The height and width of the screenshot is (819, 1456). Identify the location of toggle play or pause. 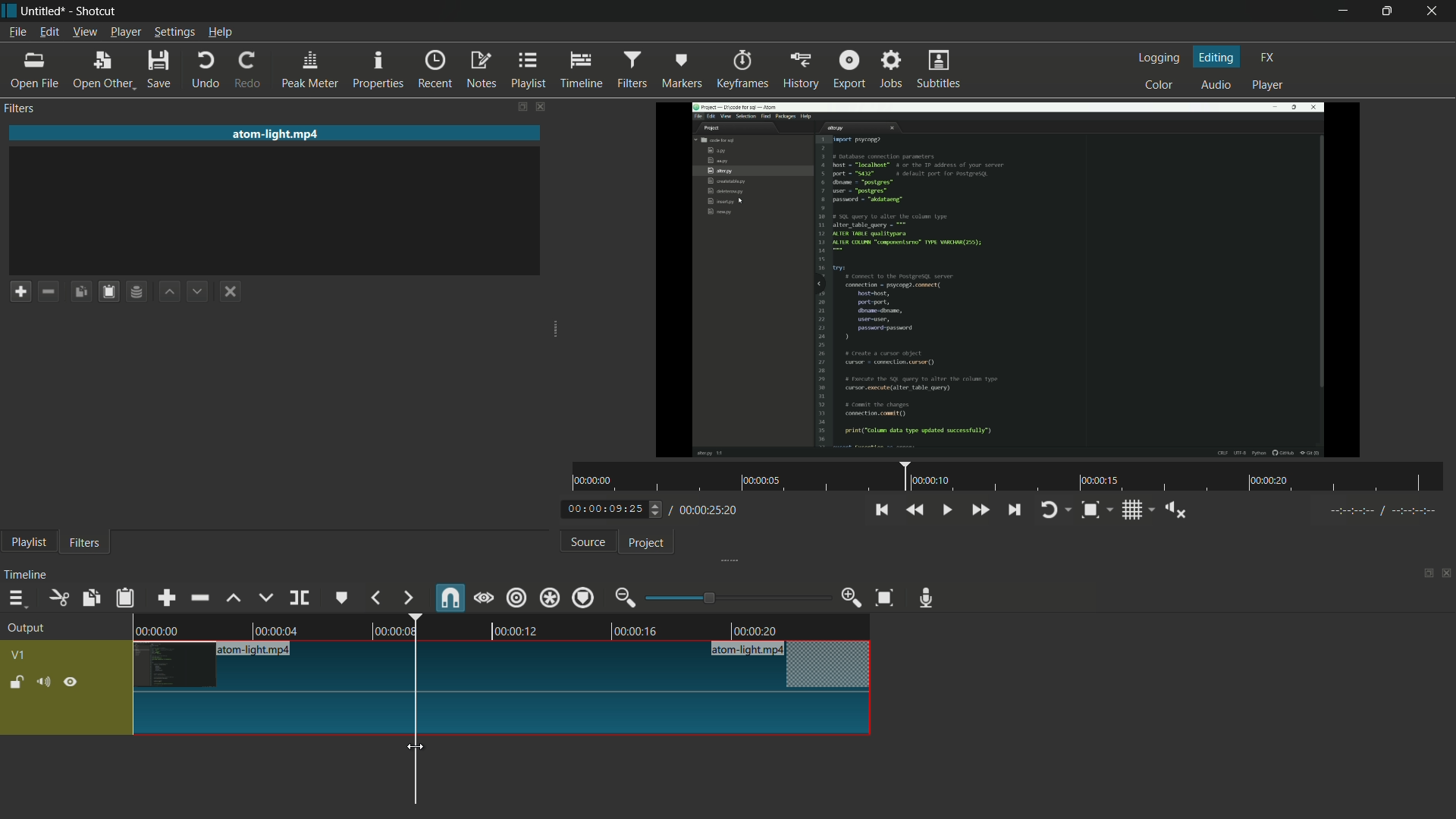
(945, 508).